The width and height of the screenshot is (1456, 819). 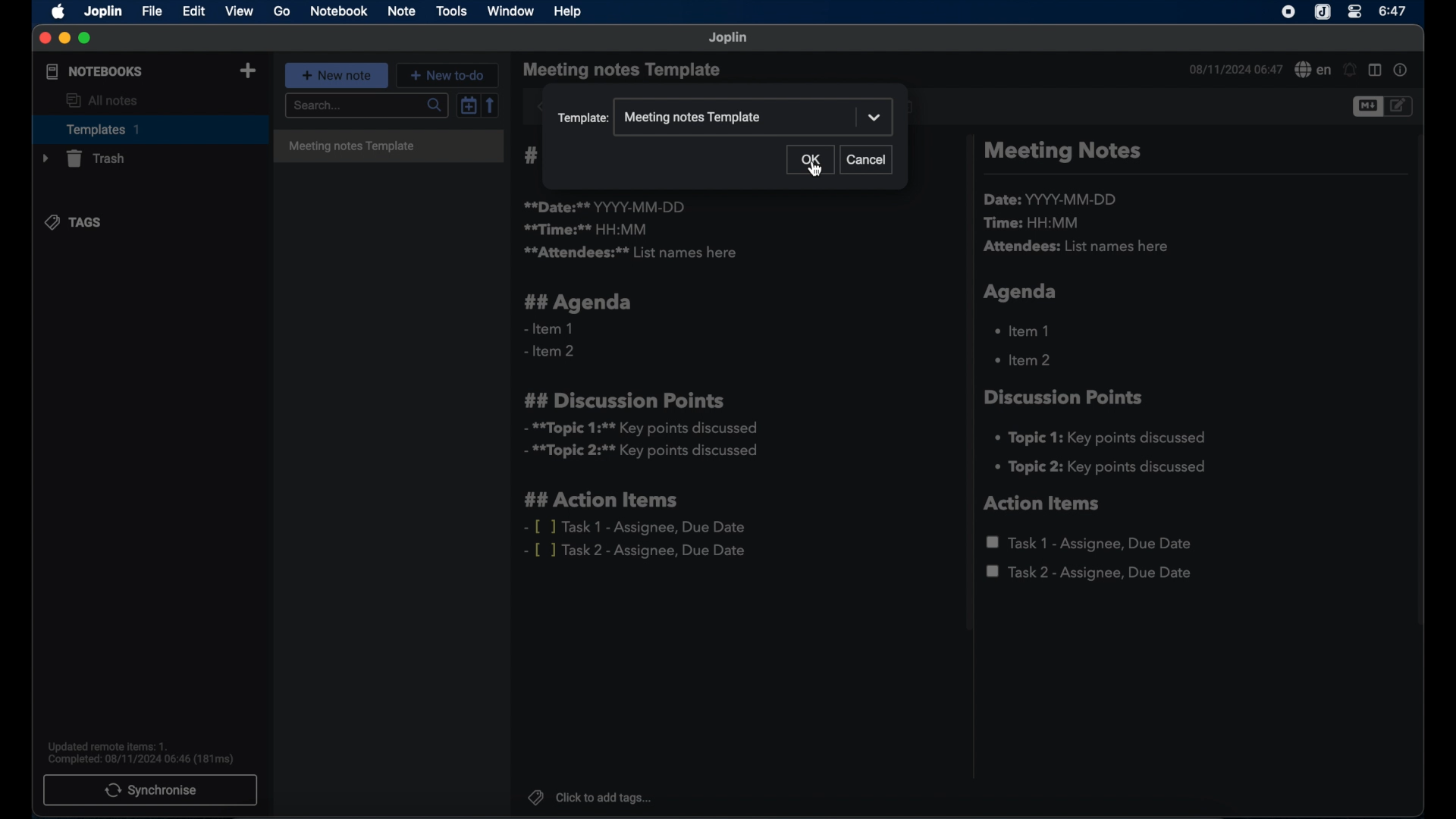 What do you see at coordinates (55, 12) in the screenshot?
I see `apple icon` at bounding box center [55, 12].